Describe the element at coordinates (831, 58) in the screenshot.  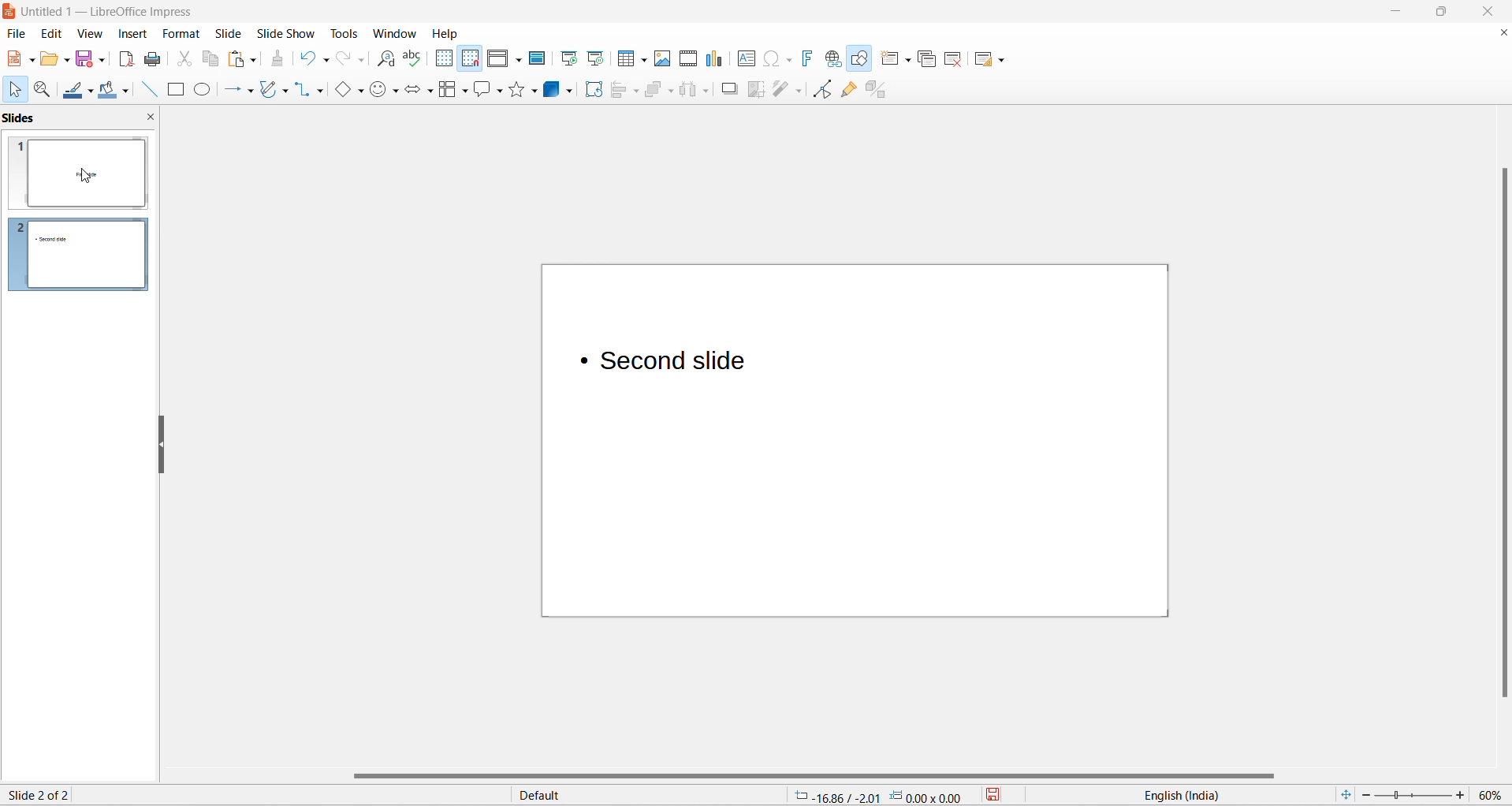
I see `insert hyperlinks` at that location.